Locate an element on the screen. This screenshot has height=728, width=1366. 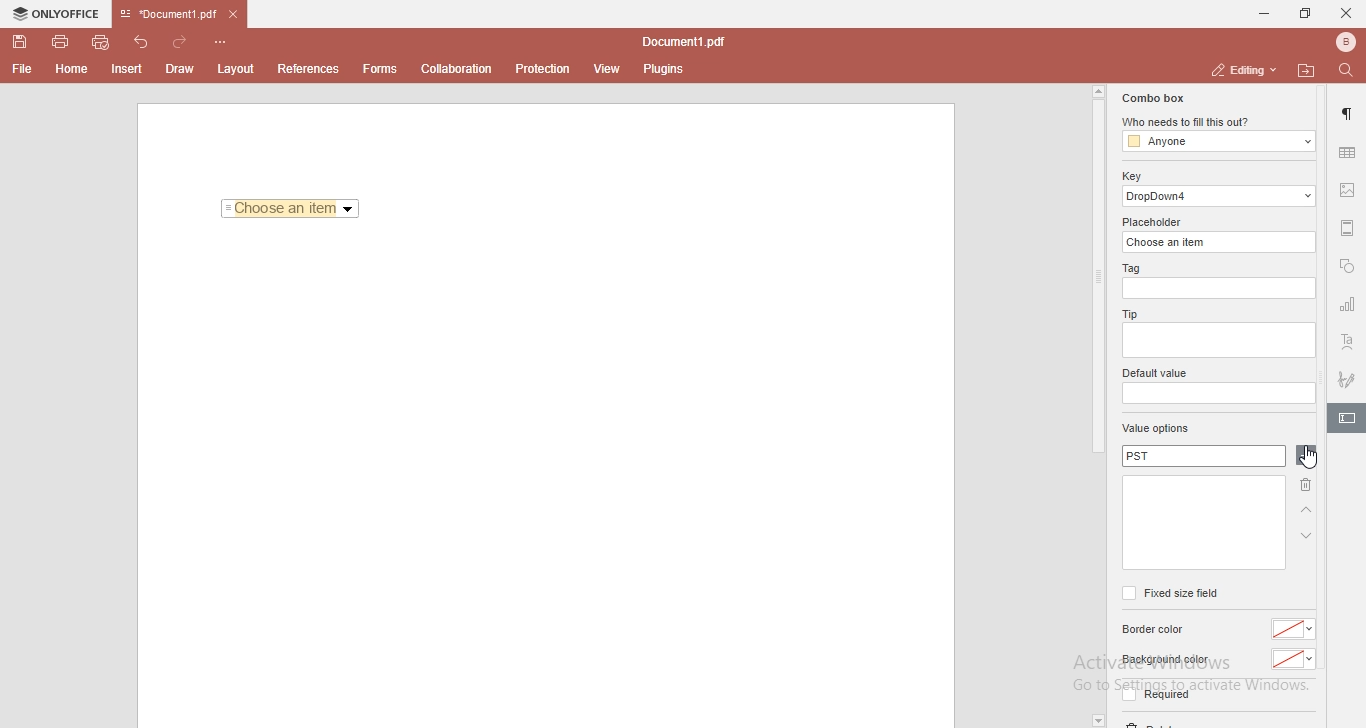
anyone is located at coordinates (1217, 142).